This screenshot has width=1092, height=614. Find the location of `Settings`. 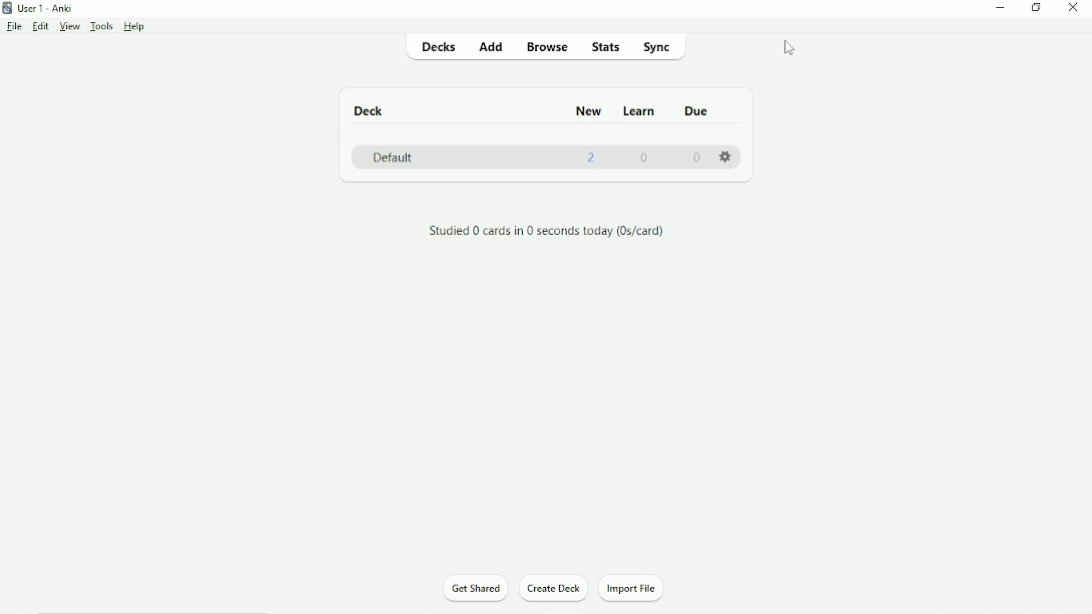

Settings is located at coordinates (727, 156).